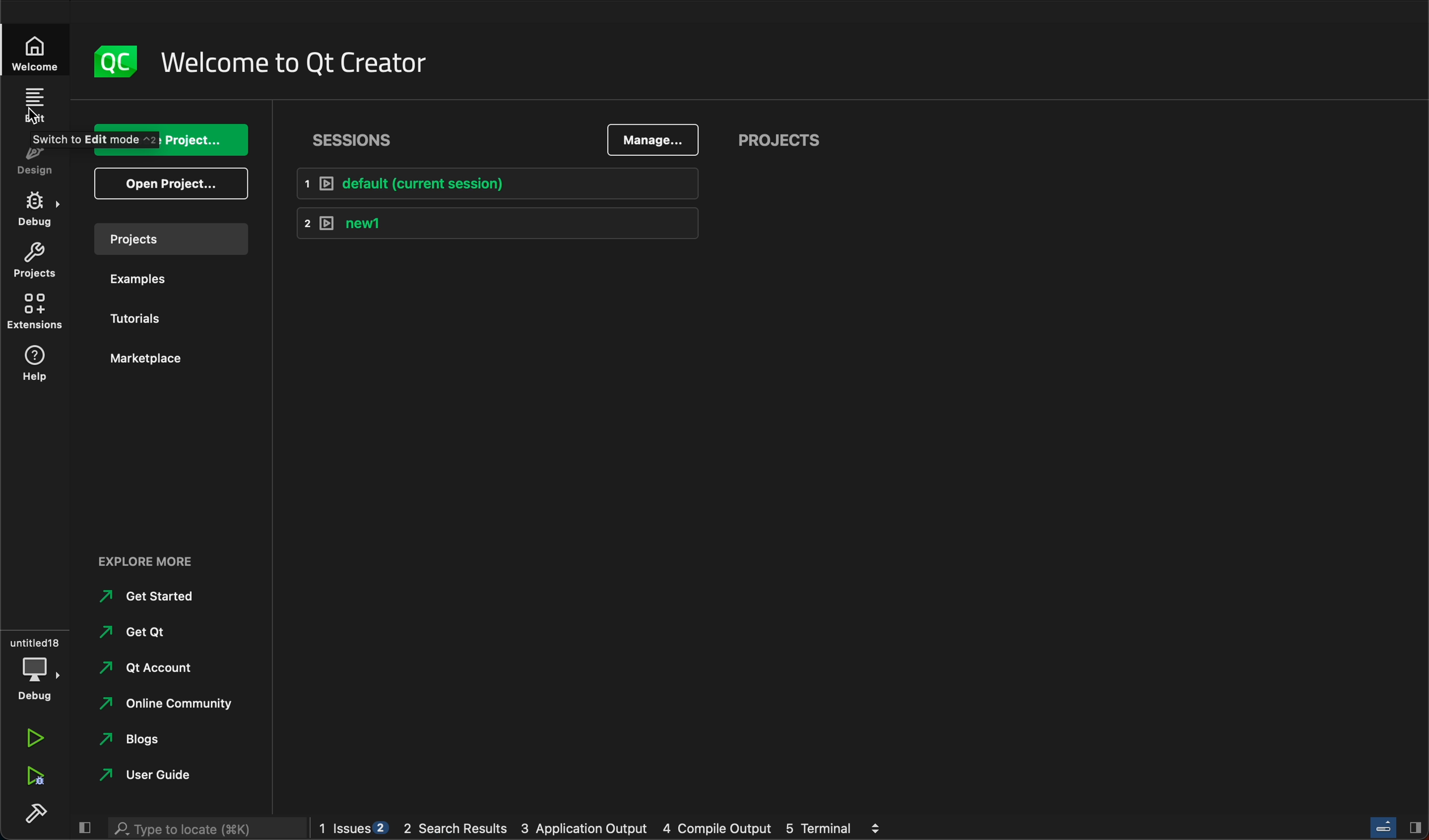 This screenshot has width=1429, height=840. What do you see at coordinates (151, 593) in the screenshot?
I see `get started` at bounding box center [151, 593].